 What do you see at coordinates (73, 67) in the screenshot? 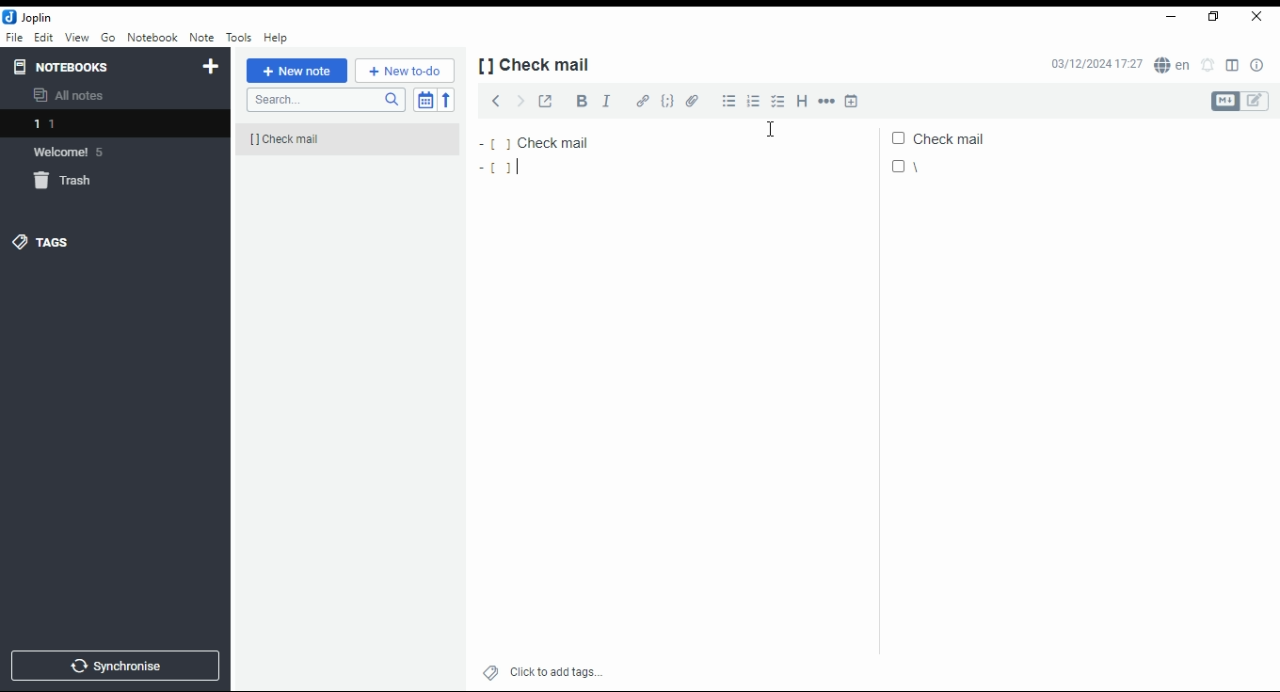
I see `notebooks` at bounding box center [73, 67].